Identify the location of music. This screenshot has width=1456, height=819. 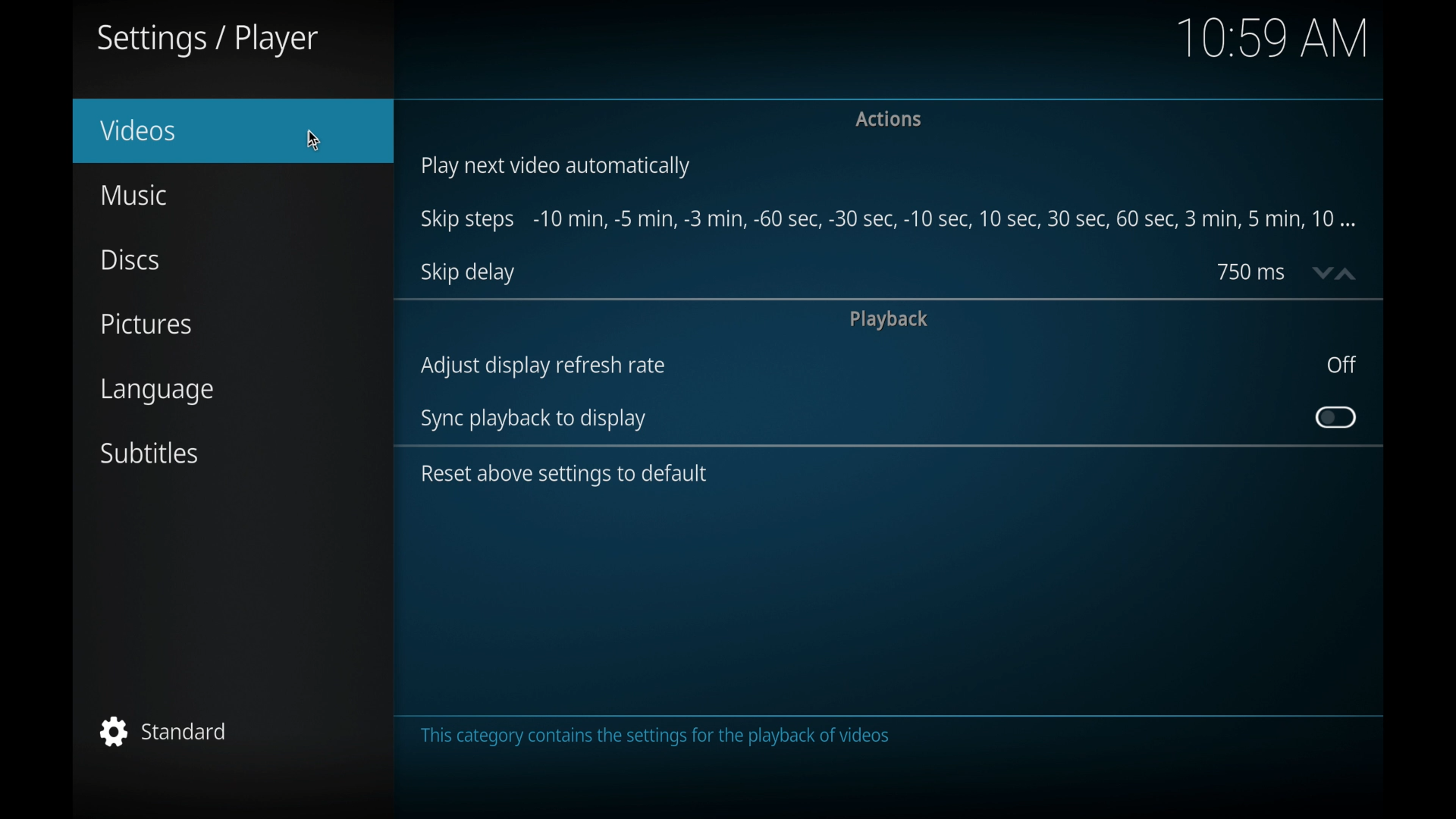
(136, 196).